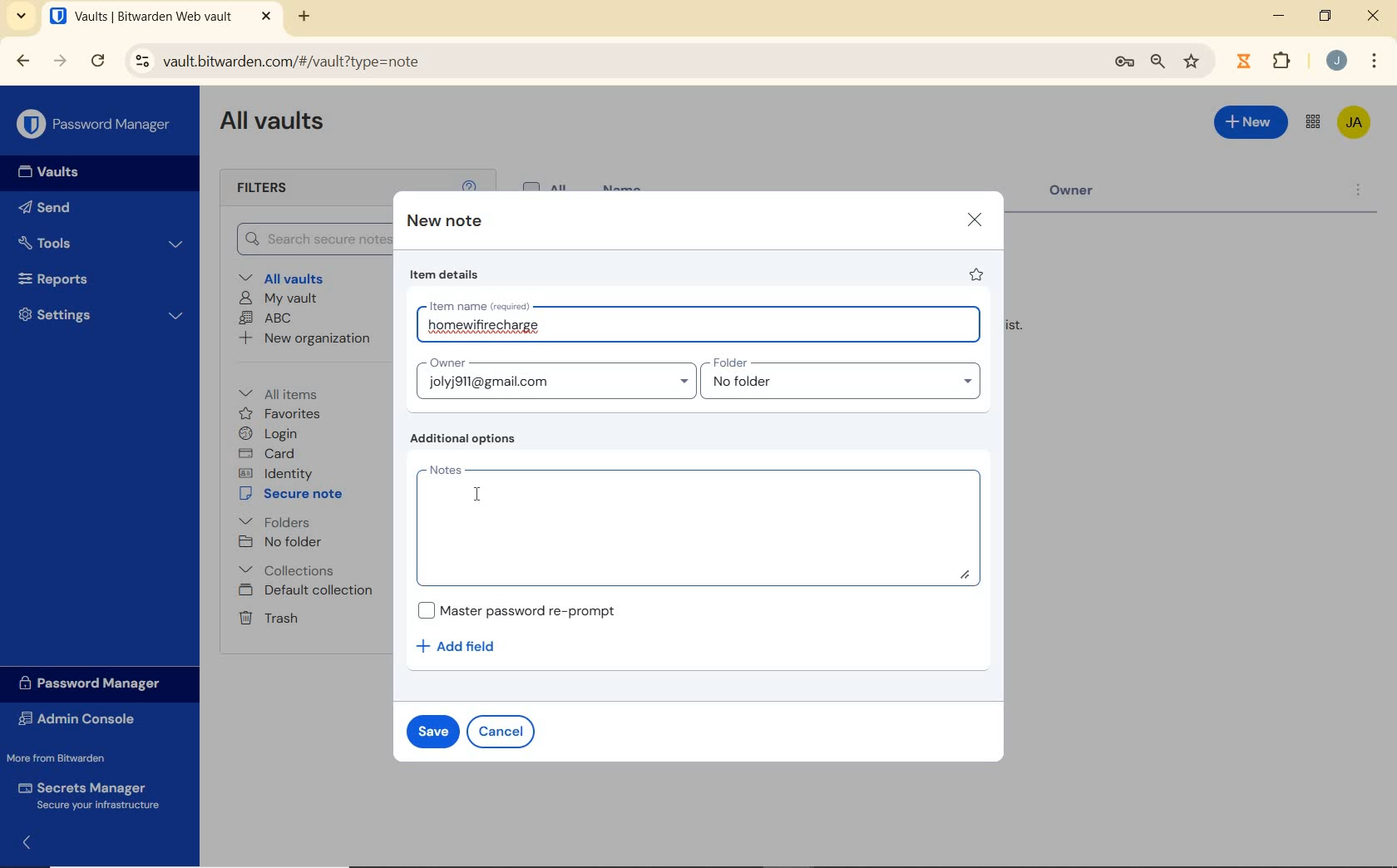  What do you see at coordinates (1251, 126) in the screenshot?
I see `New` at bounding box center [1251, 126].